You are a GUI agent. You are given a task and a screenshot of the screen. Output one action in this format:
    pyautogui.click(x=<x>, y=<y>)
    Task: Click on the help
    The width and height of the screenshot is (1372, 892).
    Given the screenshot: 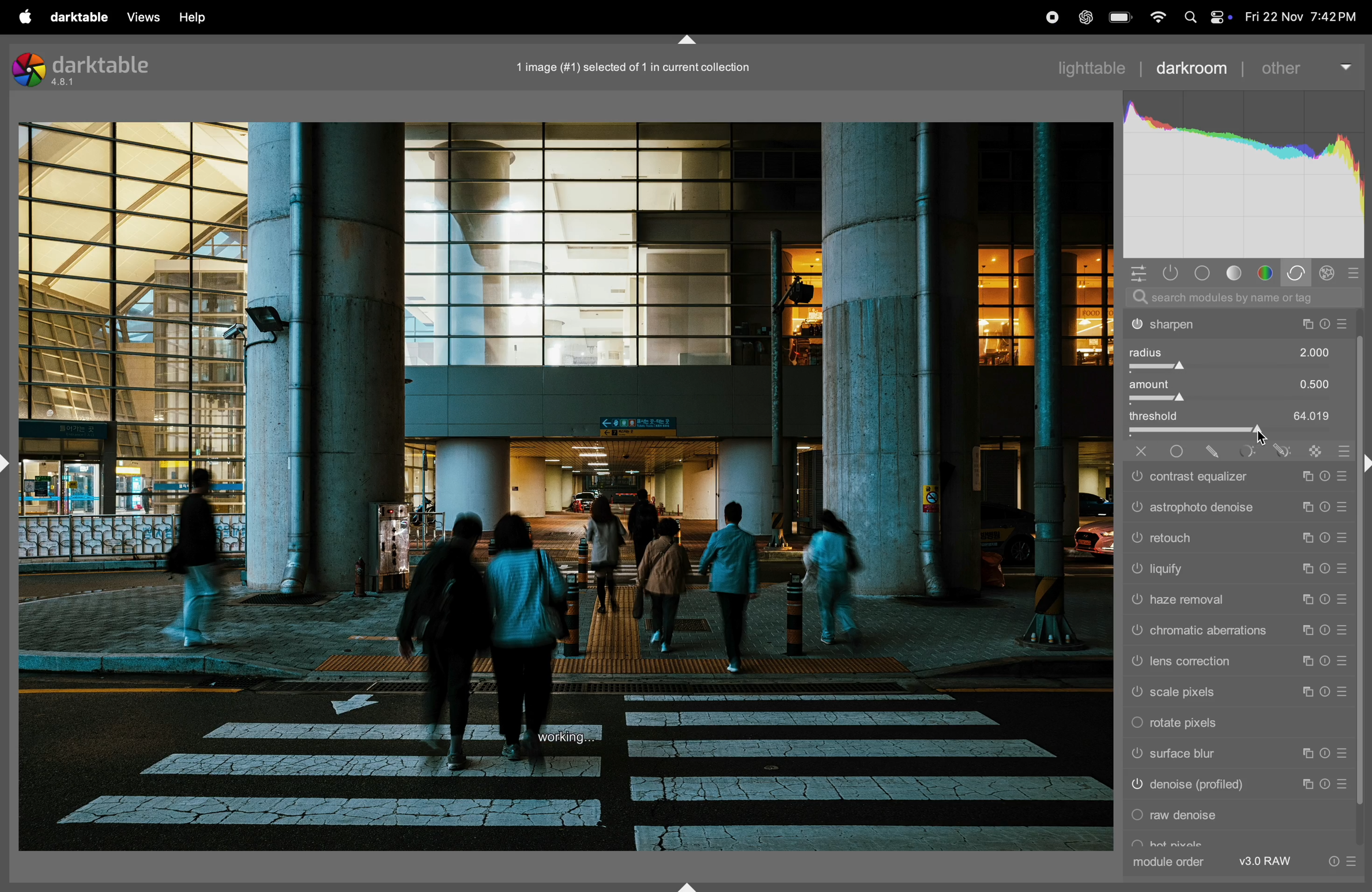 What is the action you would take?
    pyautogui.click(x=203, y=14)
    